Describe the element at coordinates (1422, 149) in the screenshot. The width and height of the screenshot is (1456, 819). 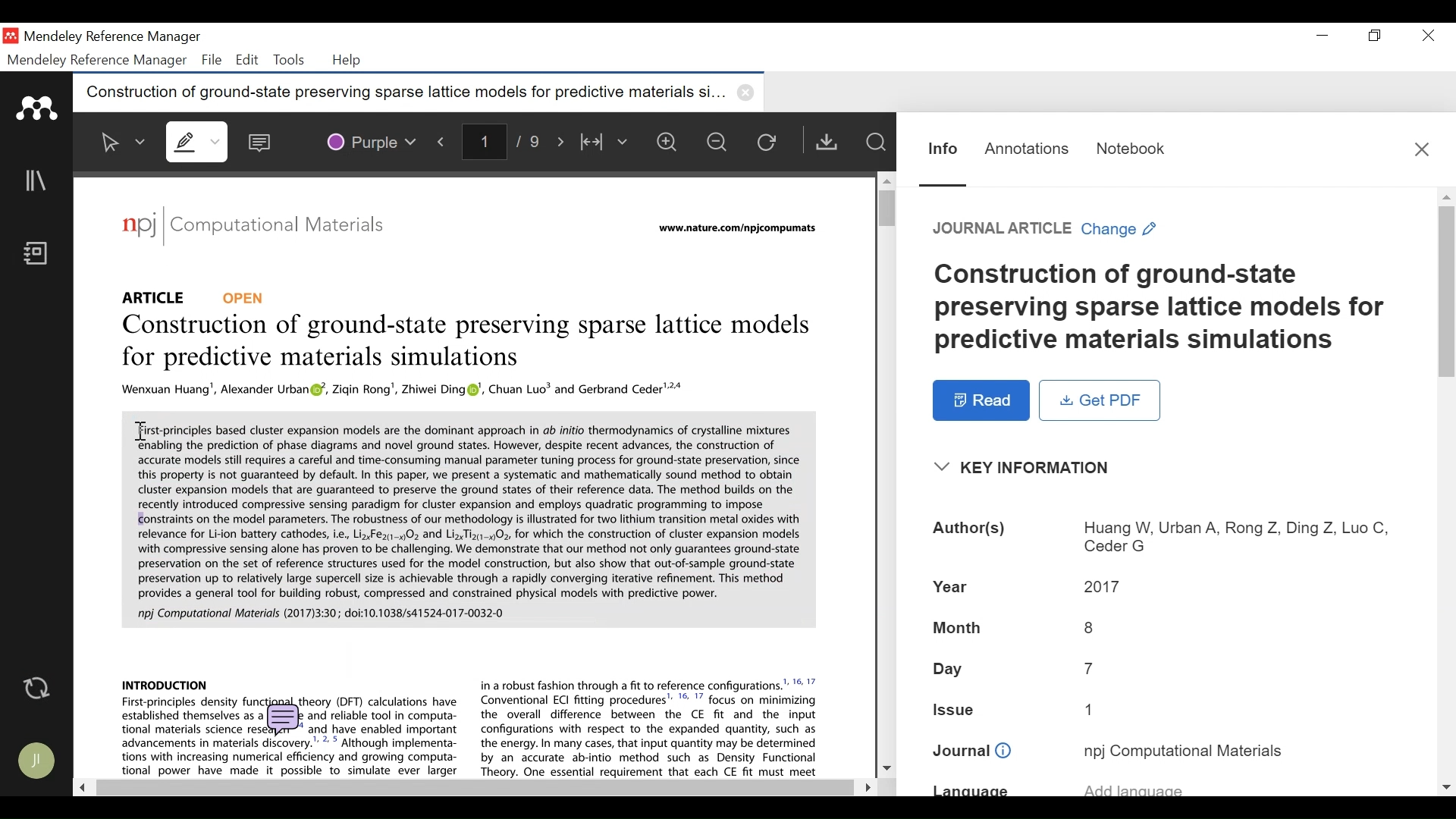
I see `Close` at that location.